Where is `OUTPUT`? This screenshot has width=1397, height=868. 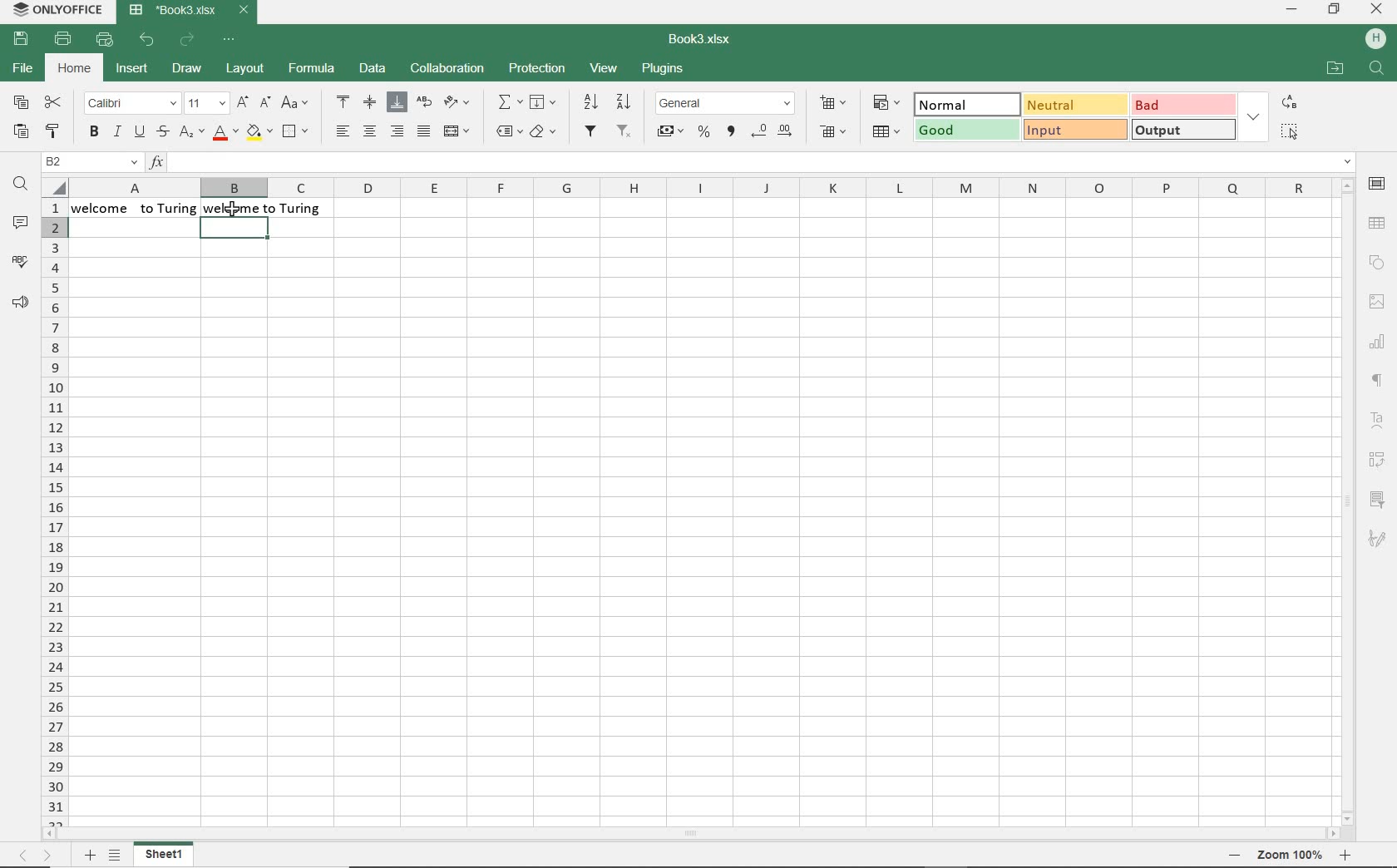
OUTPUT is located at coordinates (1182, 130).